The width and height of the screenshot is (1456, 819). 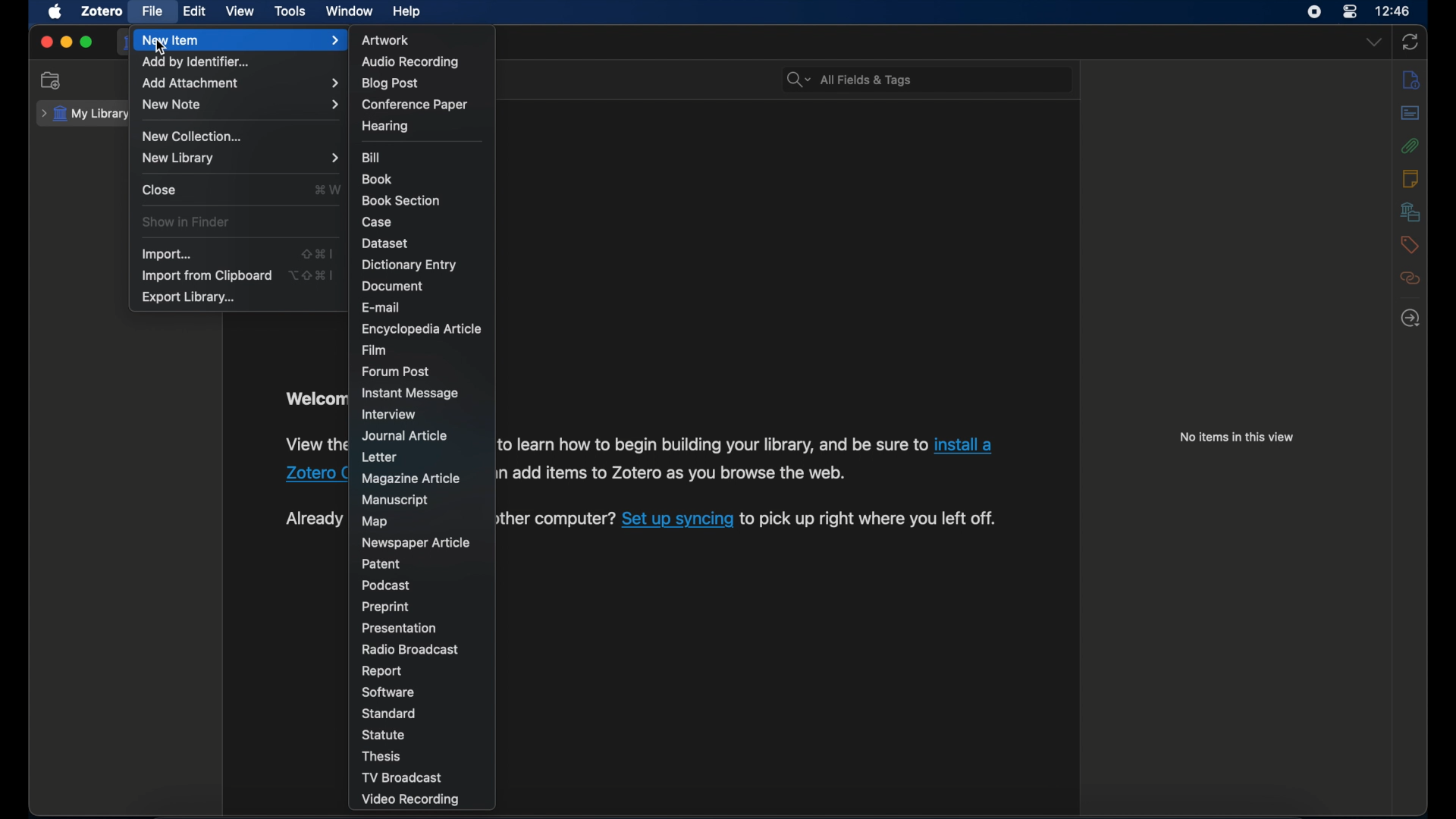 What do you see at coordinates (52, 80) in the screenshot?
I see `new collection` at bounding box center [52, 80].